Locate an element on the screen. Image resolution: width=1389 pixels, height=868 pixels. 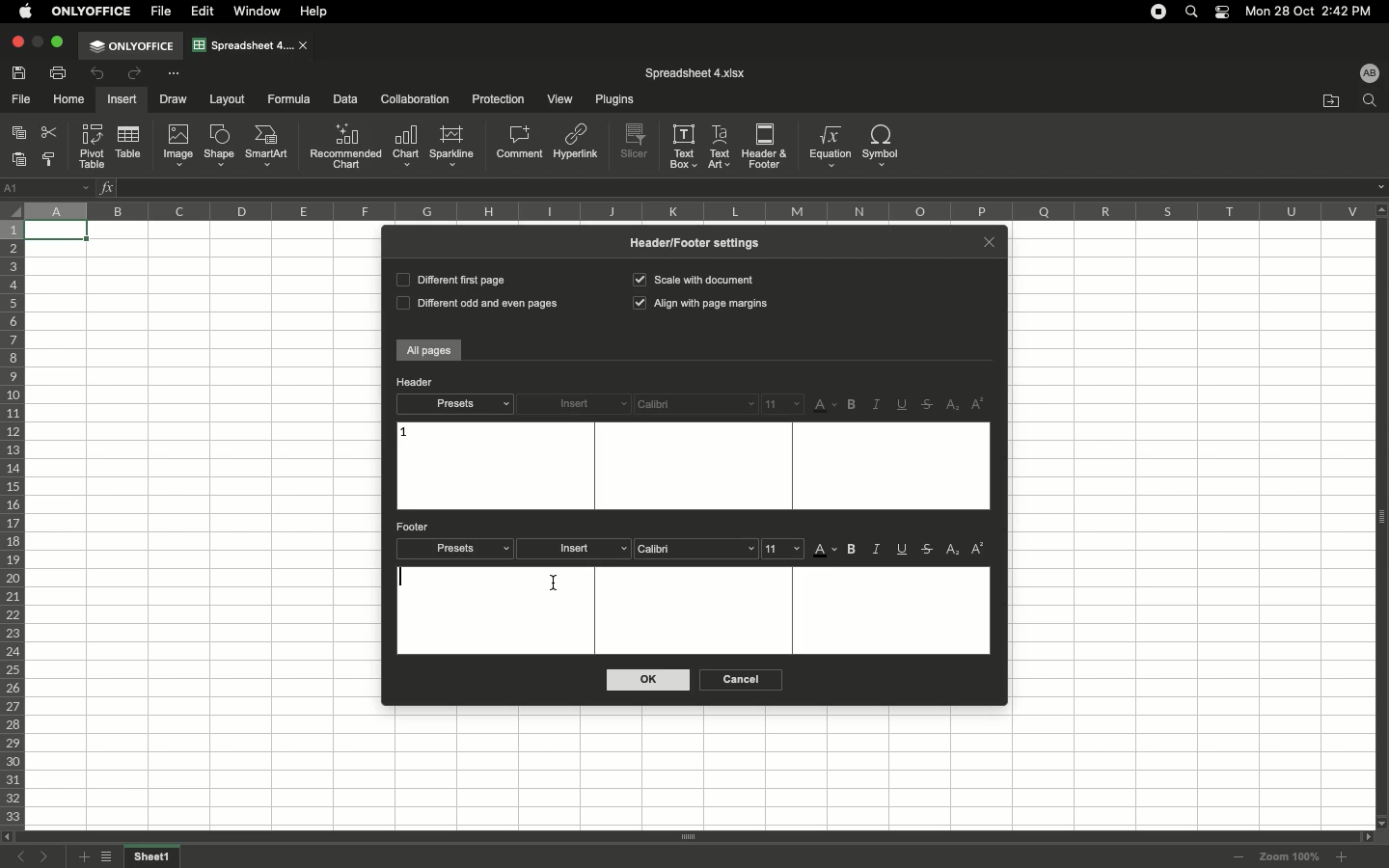
SmartArt is located at coordinates (269, 147).